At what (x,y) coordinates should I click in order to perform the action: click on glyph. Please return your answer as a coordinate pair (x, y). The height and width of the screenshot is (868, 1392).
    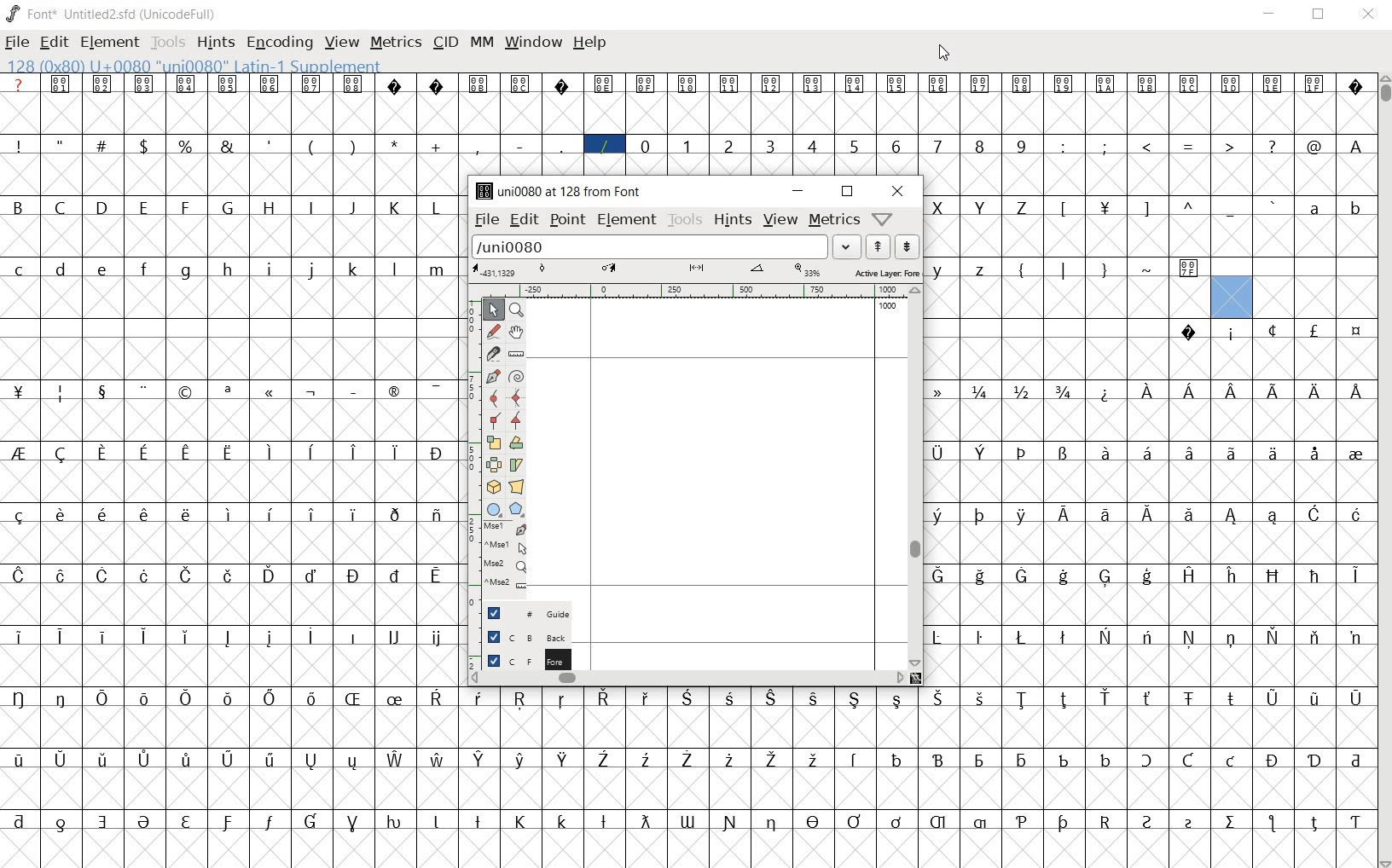
    Looking at the image, I should click on (355, 269).